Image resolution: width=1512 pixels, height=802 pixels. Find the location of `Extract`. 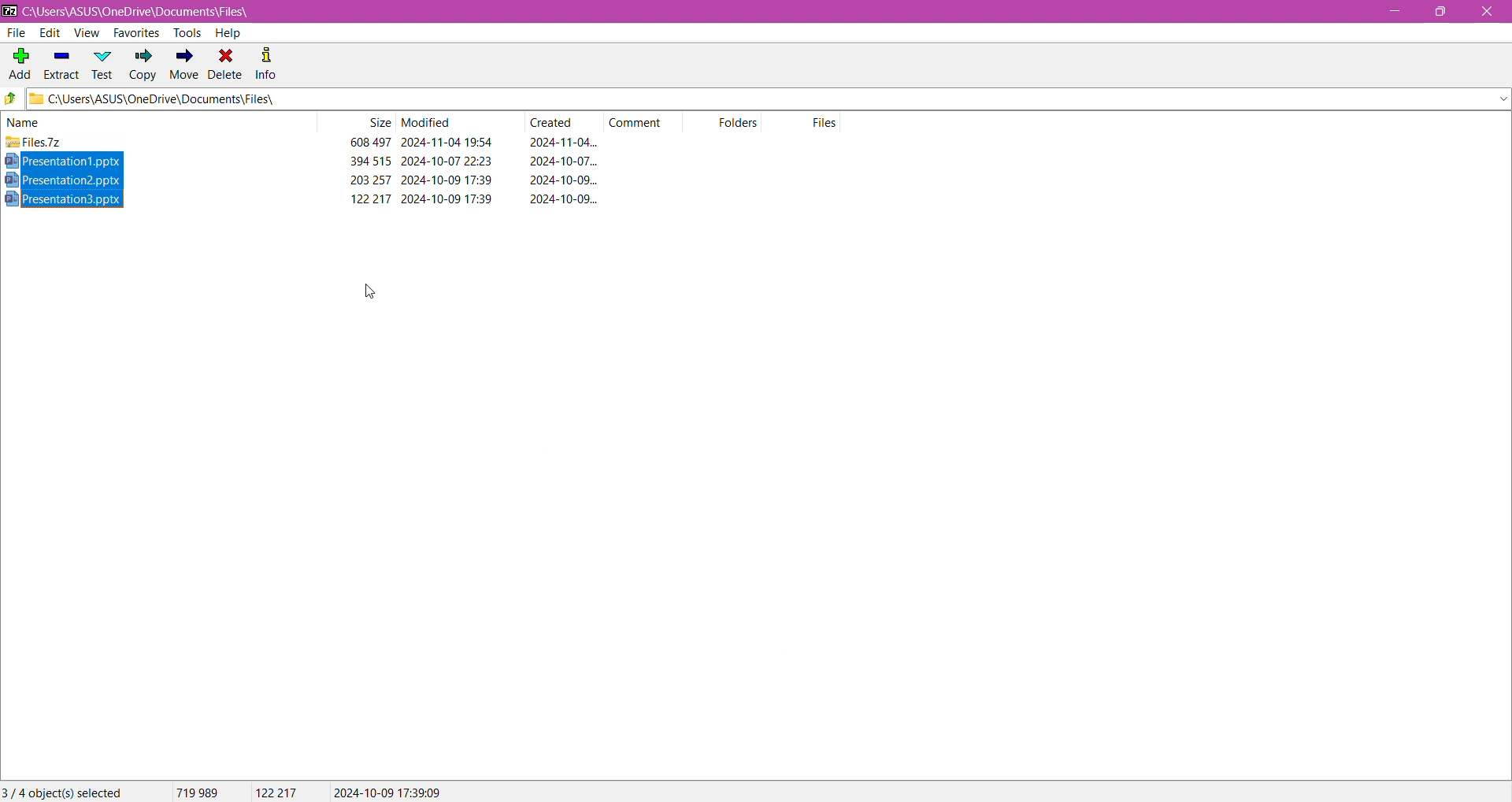

Extract is located at coordinates (61, 61).